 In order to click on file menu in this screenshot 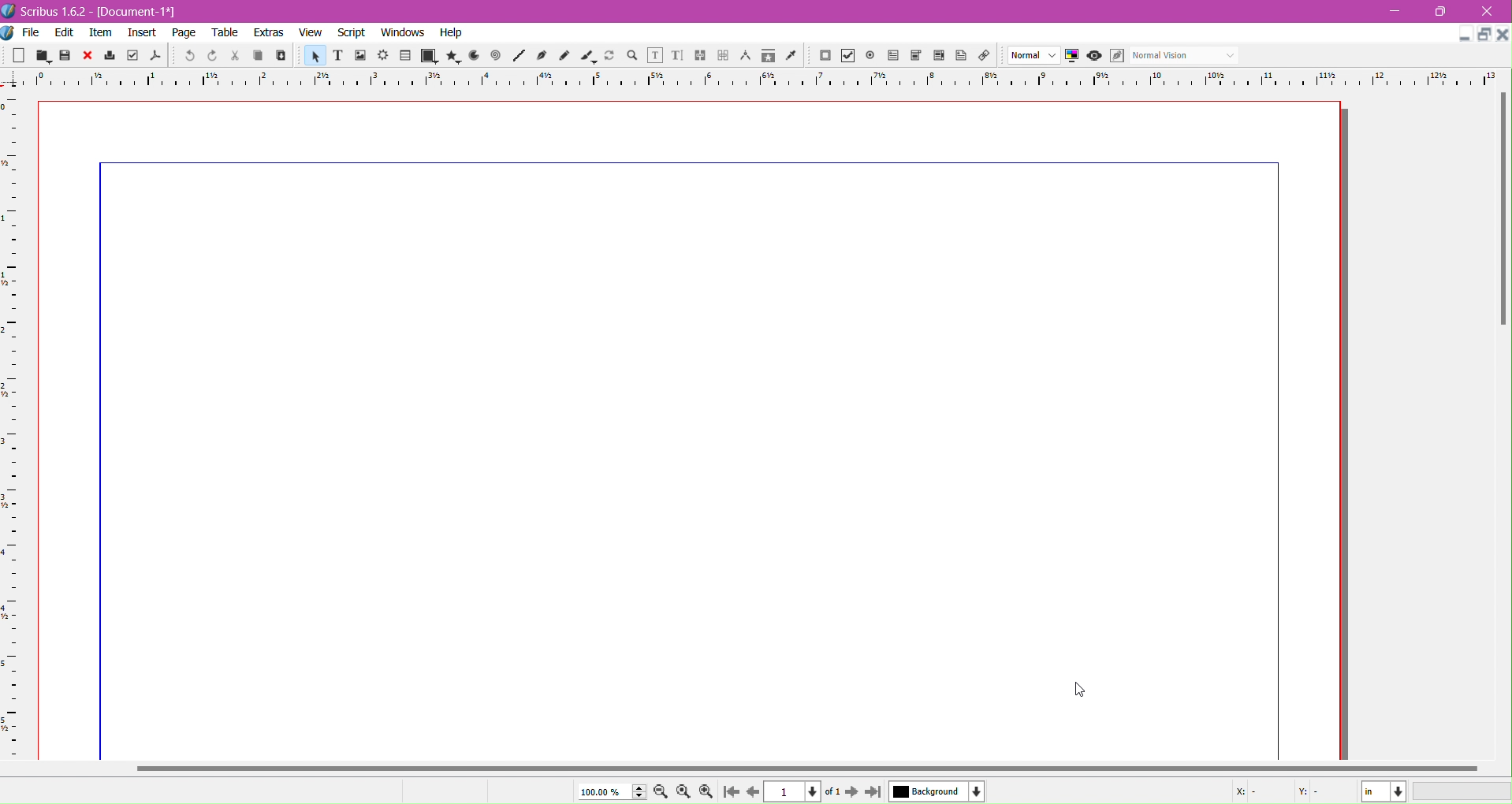, I will do `click(32, 33)`.